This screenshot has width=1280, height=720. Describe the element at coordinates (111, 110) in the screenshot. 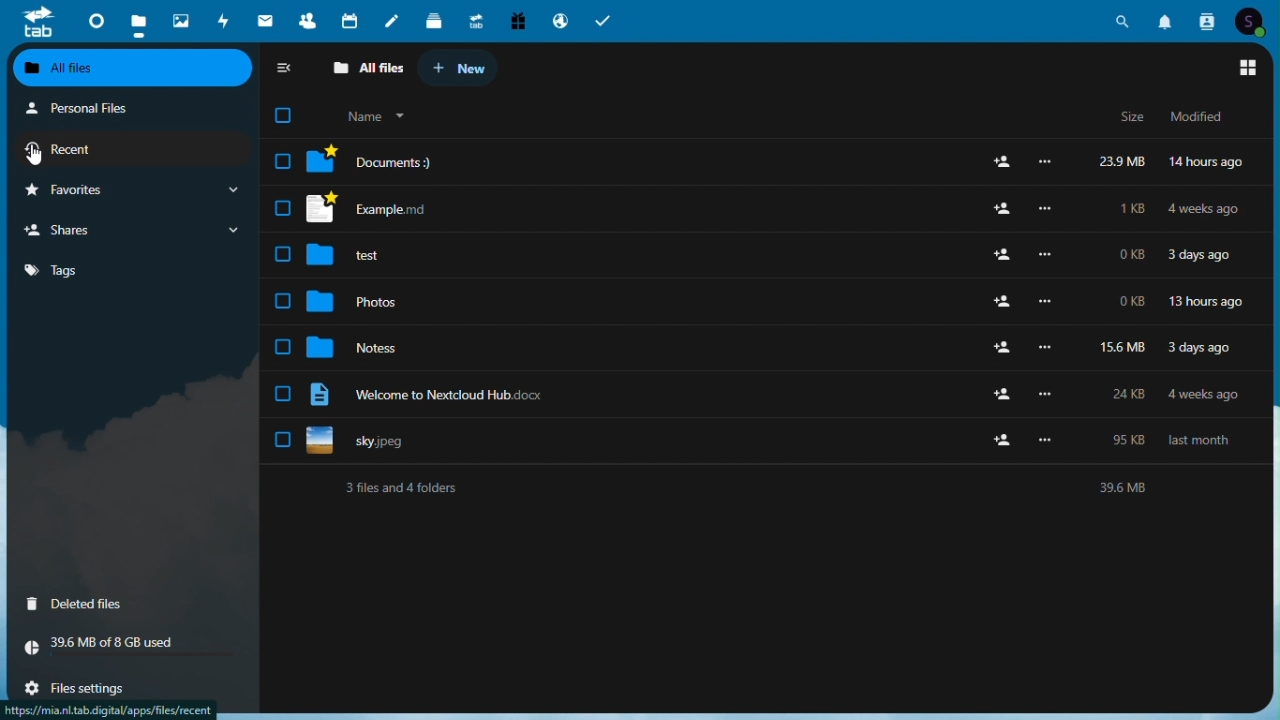

I see `personal files` at that location.